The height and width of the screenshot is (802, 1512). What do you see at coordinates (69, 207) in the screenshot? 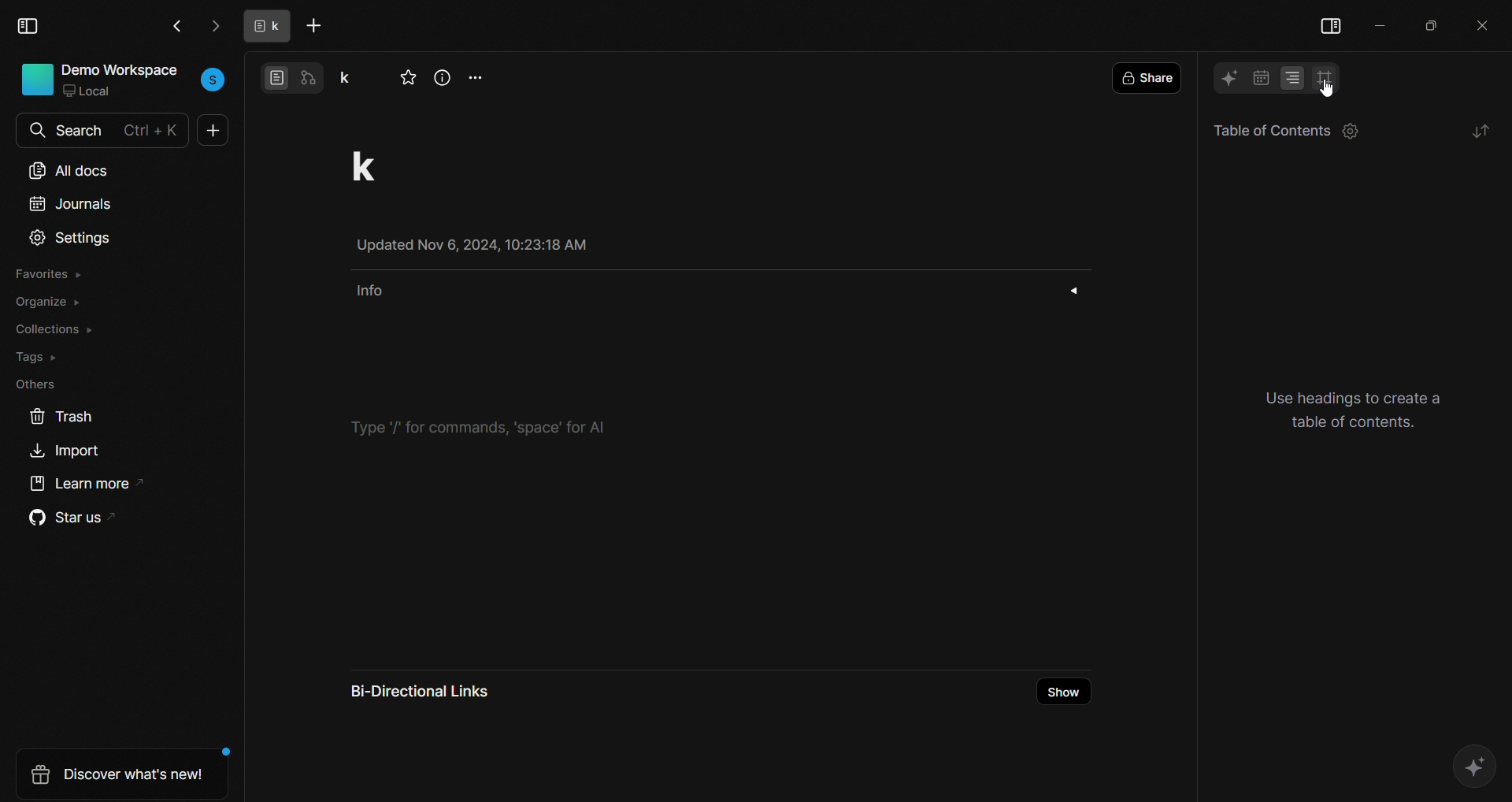
I see `journals` at bounding box center [69, 207].